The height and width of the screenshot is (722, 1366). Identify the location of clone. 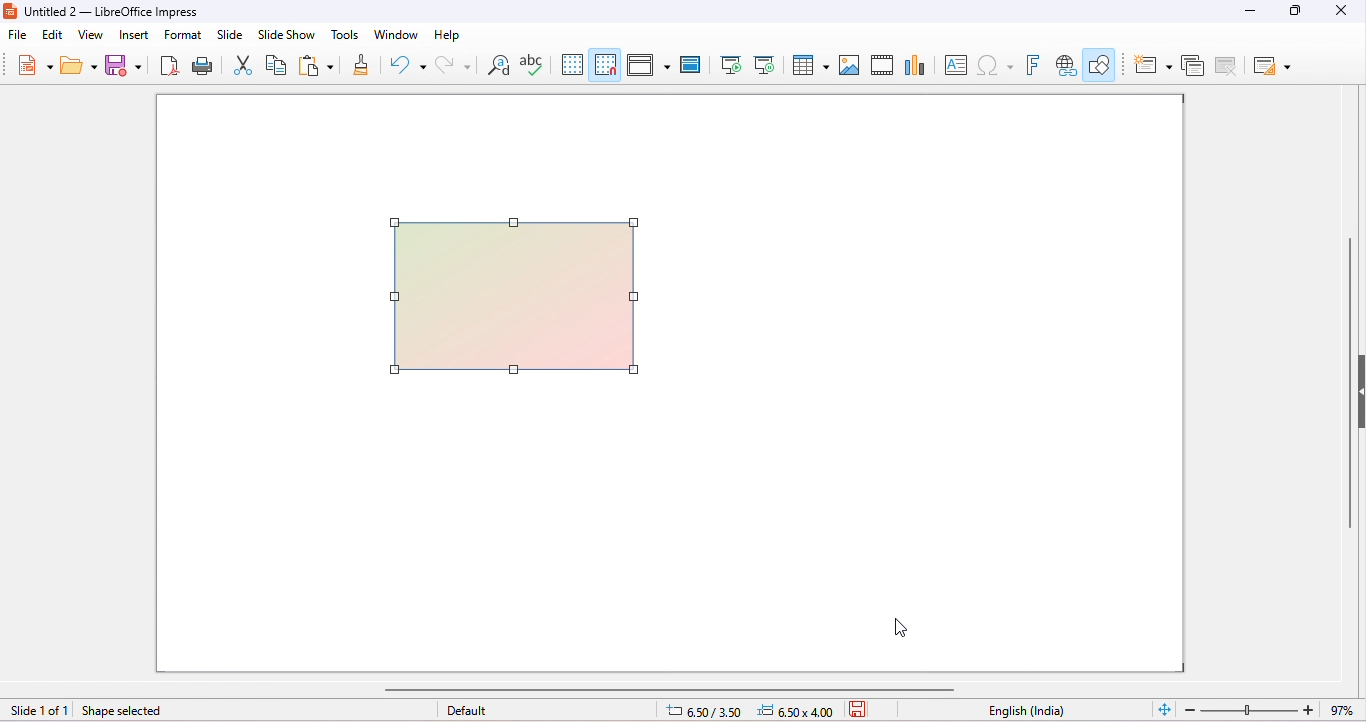
(362, 63).